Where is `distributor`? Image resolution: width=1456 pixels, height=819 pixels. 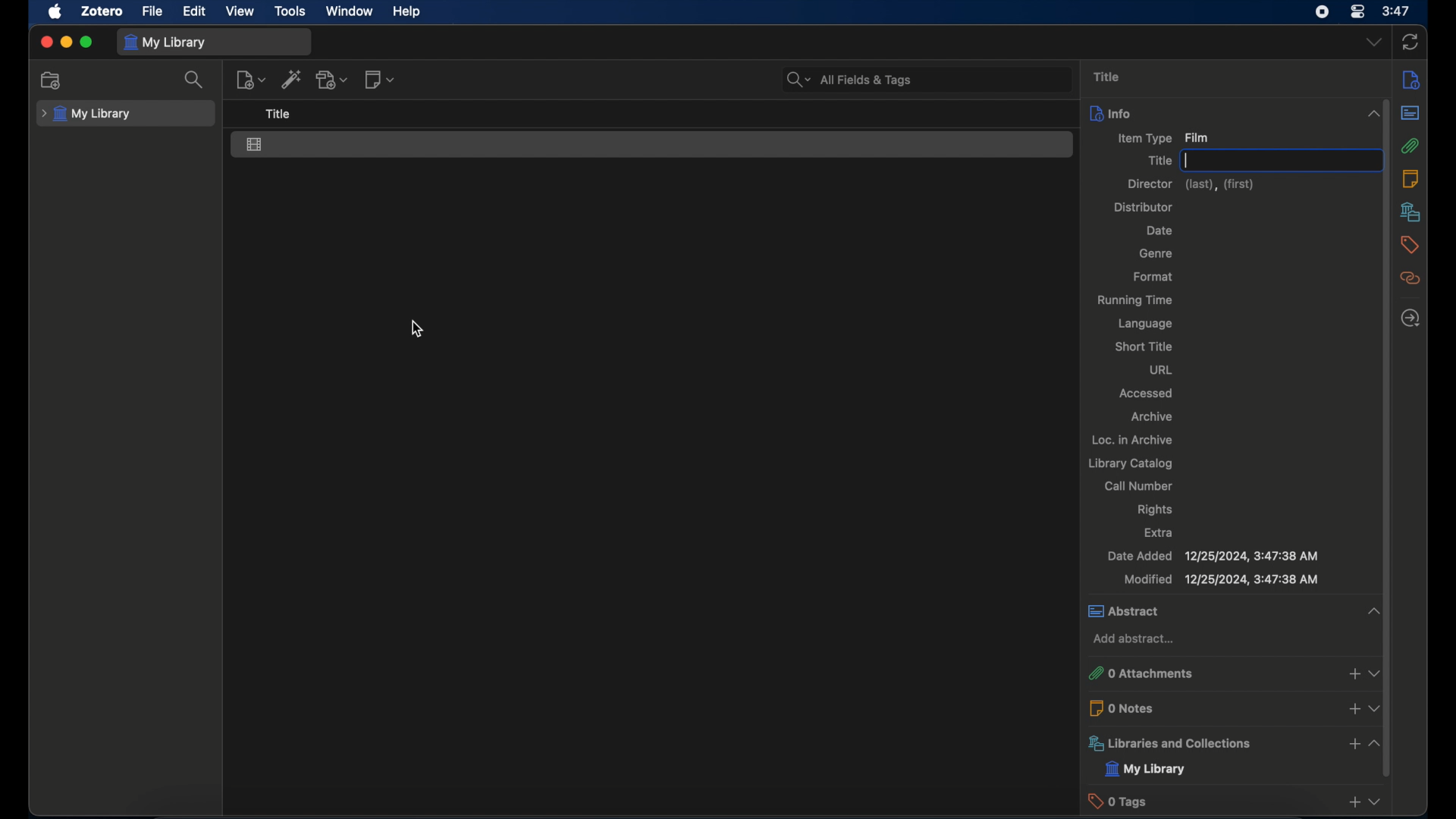 distributor is located at coordinates (1144, 207).